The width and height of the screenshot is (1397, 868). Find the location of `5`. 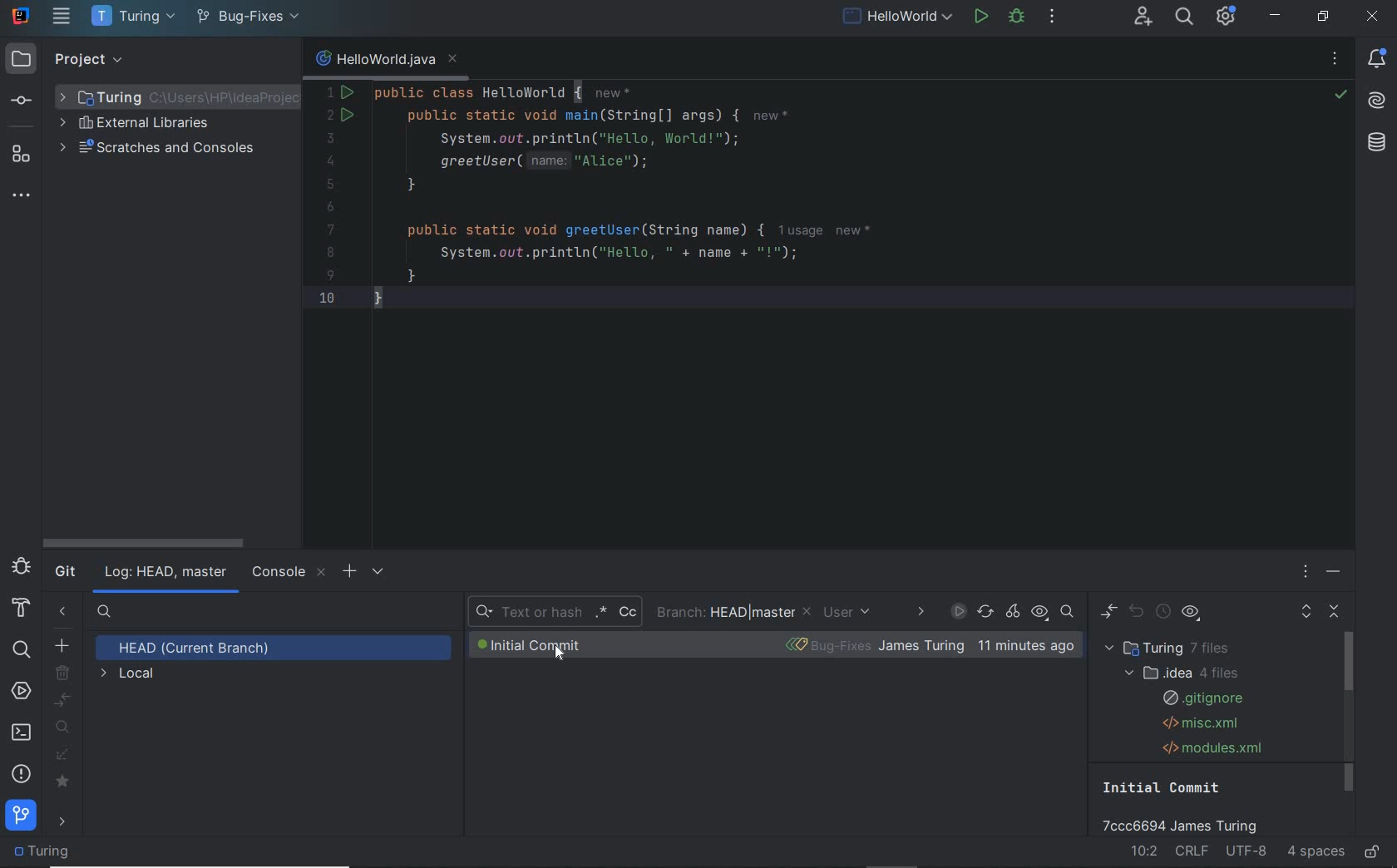

5 is located at coordinates (330, 184).